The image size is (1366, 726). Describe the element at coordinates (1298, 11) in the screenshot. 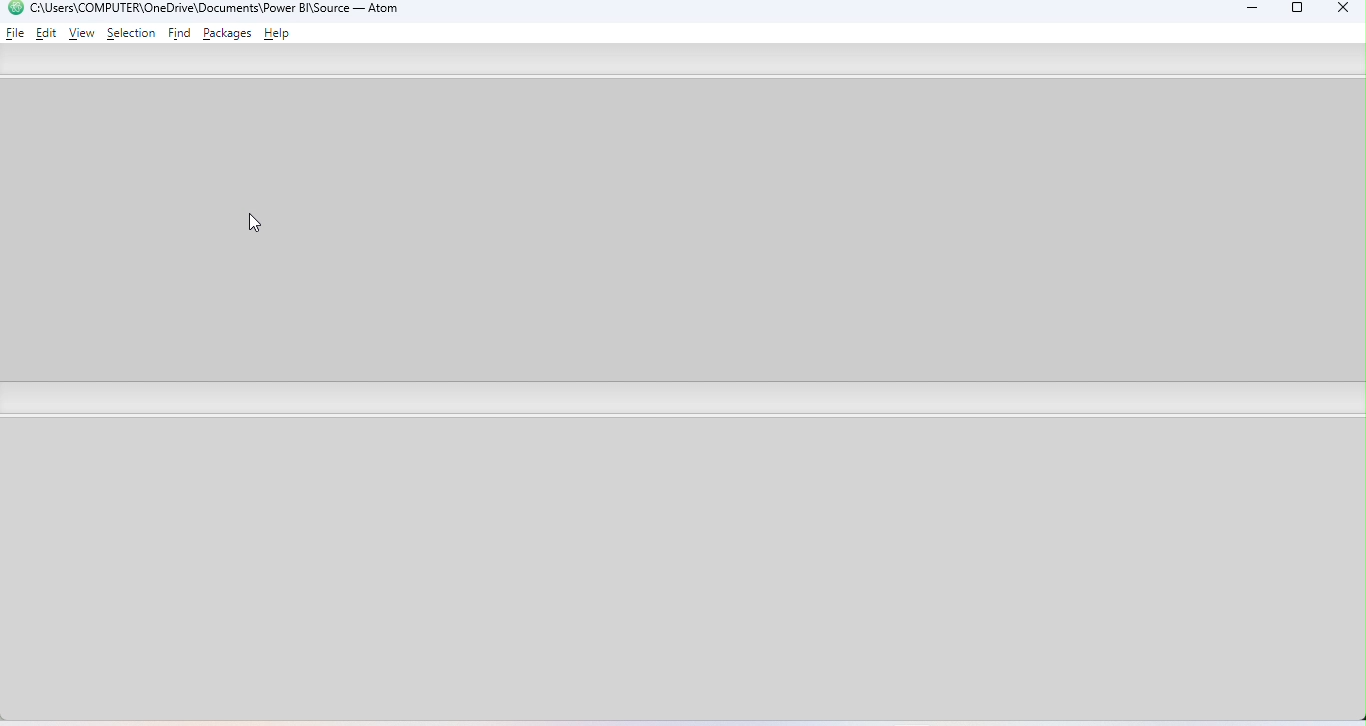

I see `Maximize` at that location.